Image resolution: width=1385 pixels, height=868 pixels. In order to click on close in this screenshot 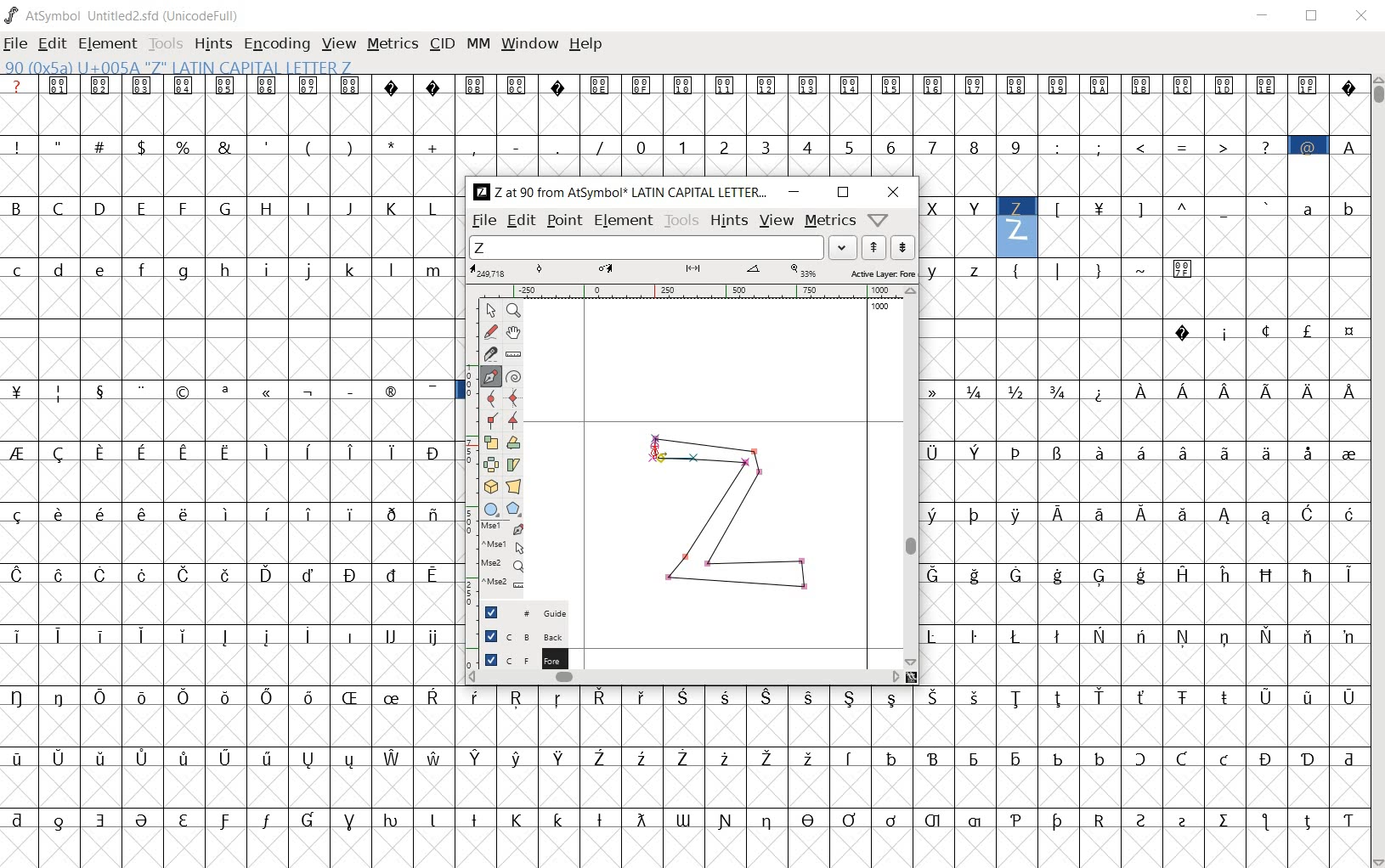, I will do `click(894, 194)`.